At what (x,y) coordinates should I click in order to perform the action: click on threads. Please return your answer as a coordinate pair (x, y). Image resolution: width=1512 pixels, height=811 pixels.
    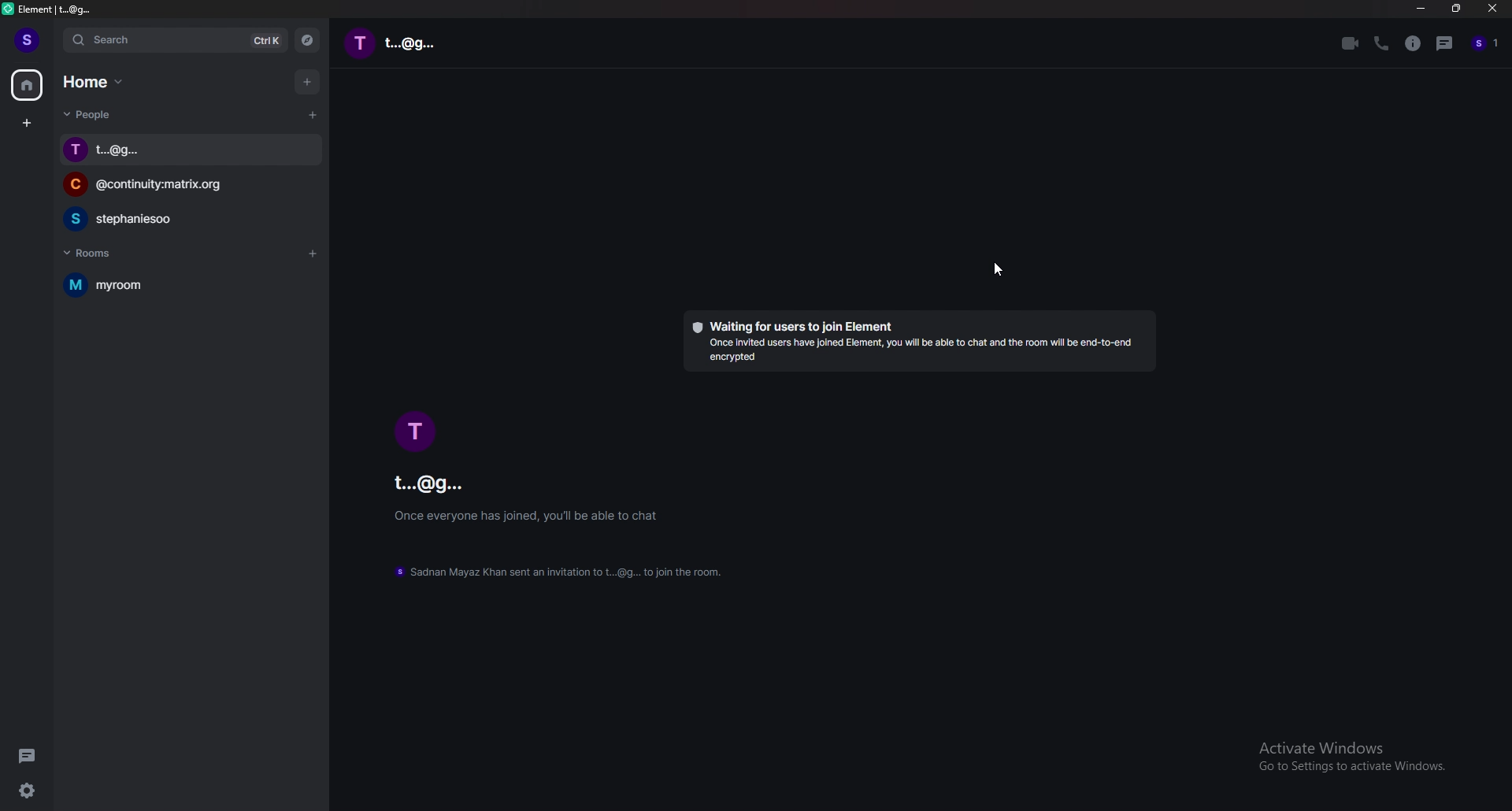
    Looking at the image, I should click on (1446, 45).